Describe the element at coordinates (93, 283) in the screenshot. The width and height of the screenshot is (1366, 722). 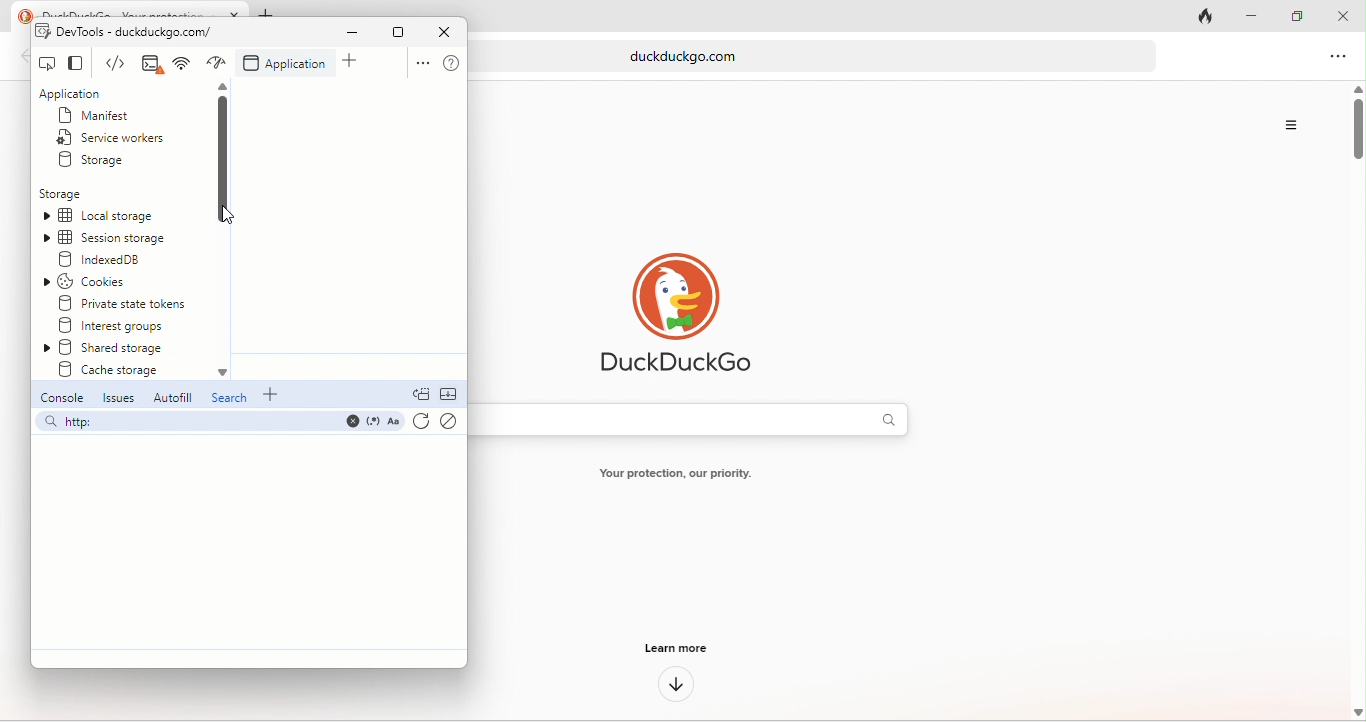
I see `cookies` at that location.